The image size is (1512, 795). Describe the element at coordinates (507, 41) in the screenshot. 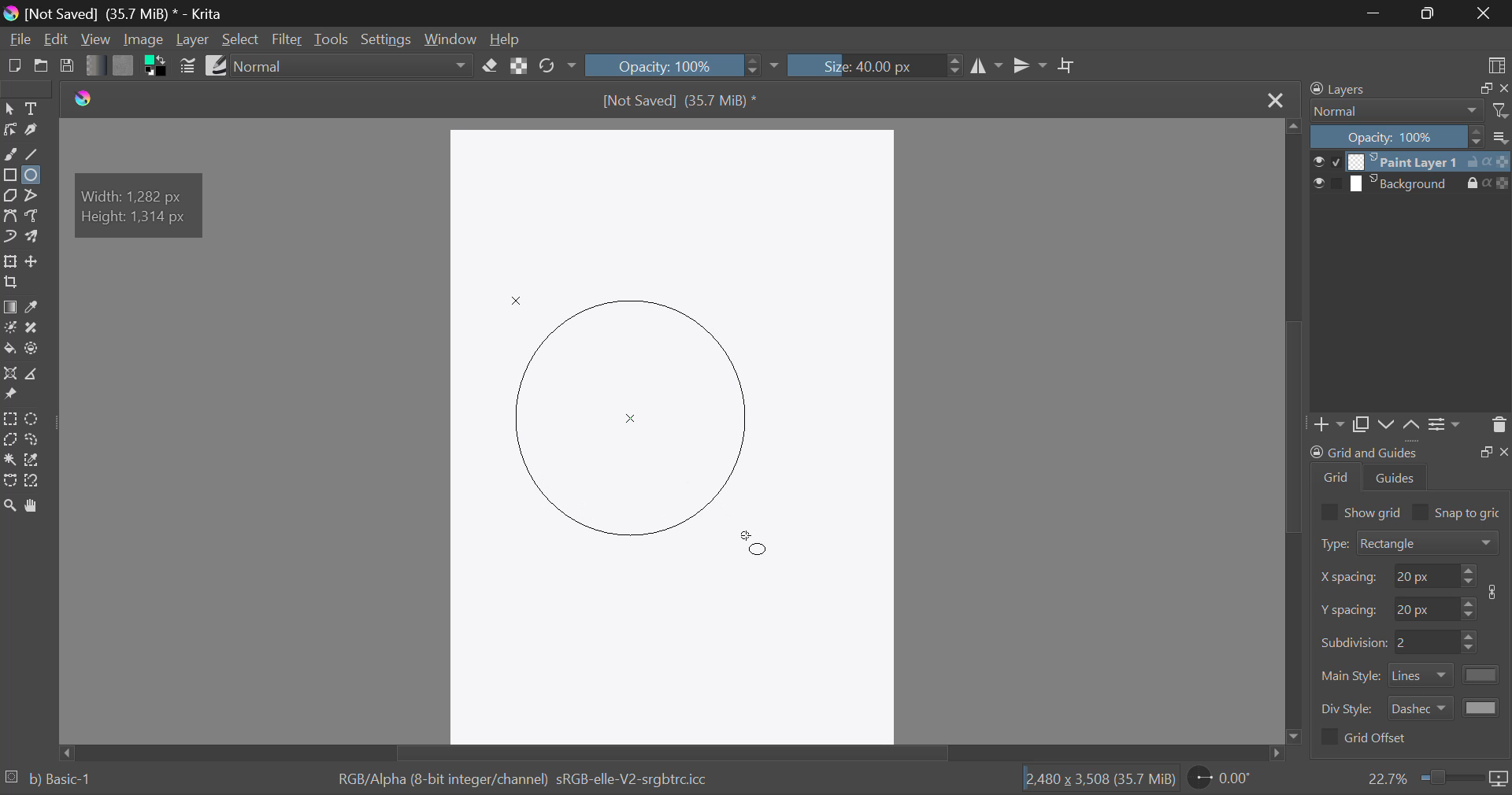

I see `Help` at that location.